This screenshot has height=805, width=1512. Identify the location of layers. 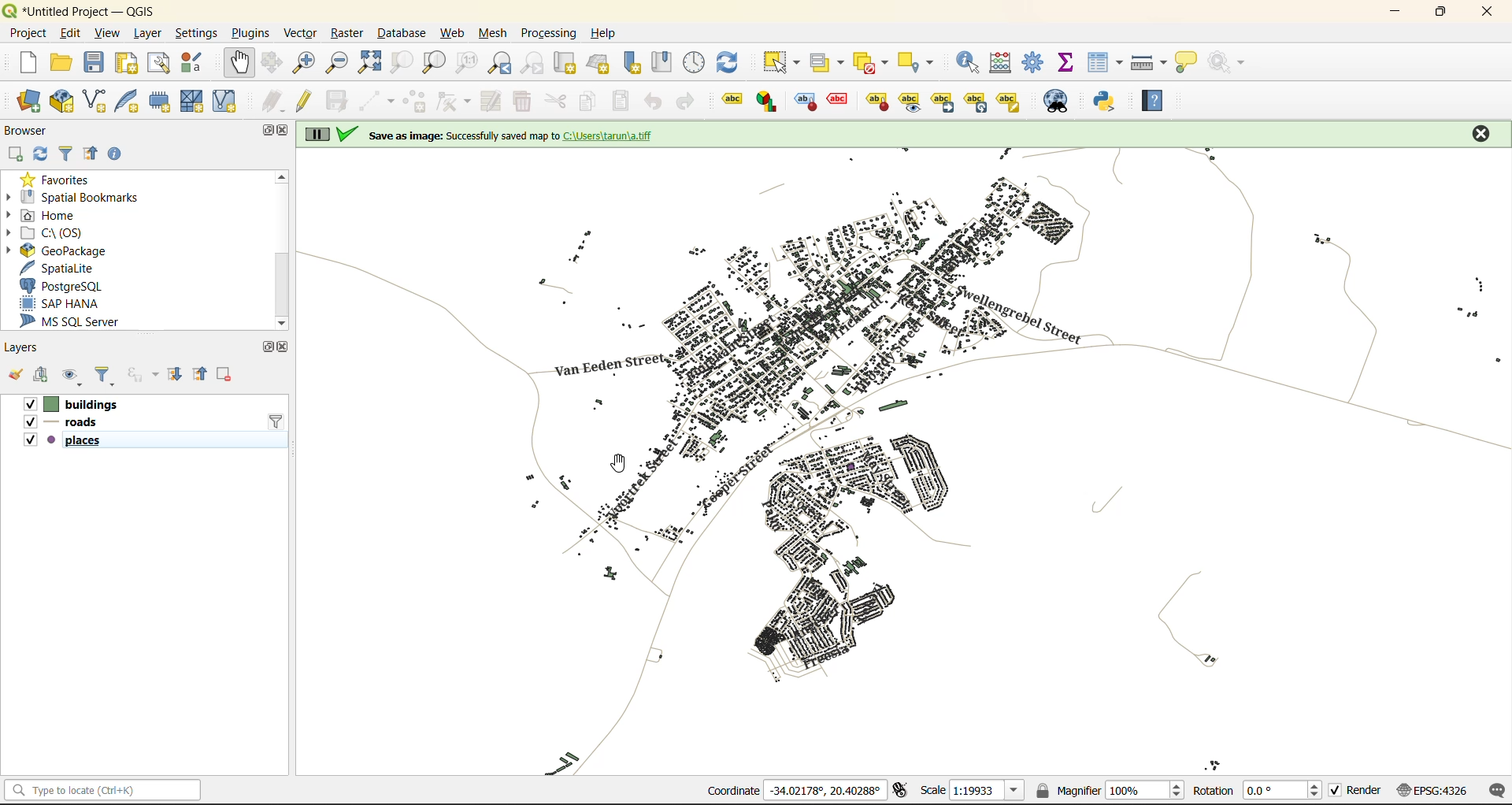
(86, 421).